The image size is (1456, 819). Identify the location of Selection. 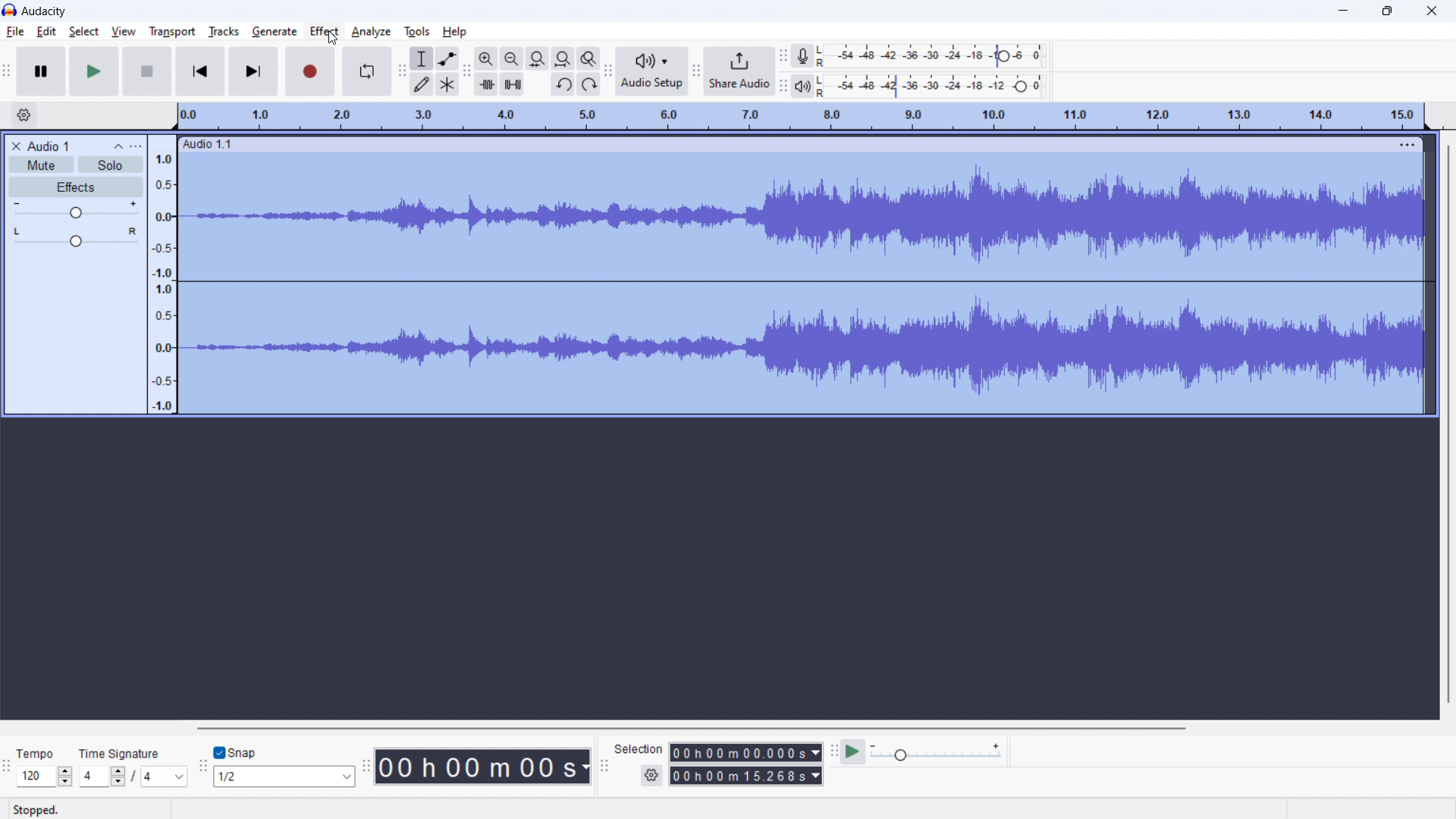
(639, 747).